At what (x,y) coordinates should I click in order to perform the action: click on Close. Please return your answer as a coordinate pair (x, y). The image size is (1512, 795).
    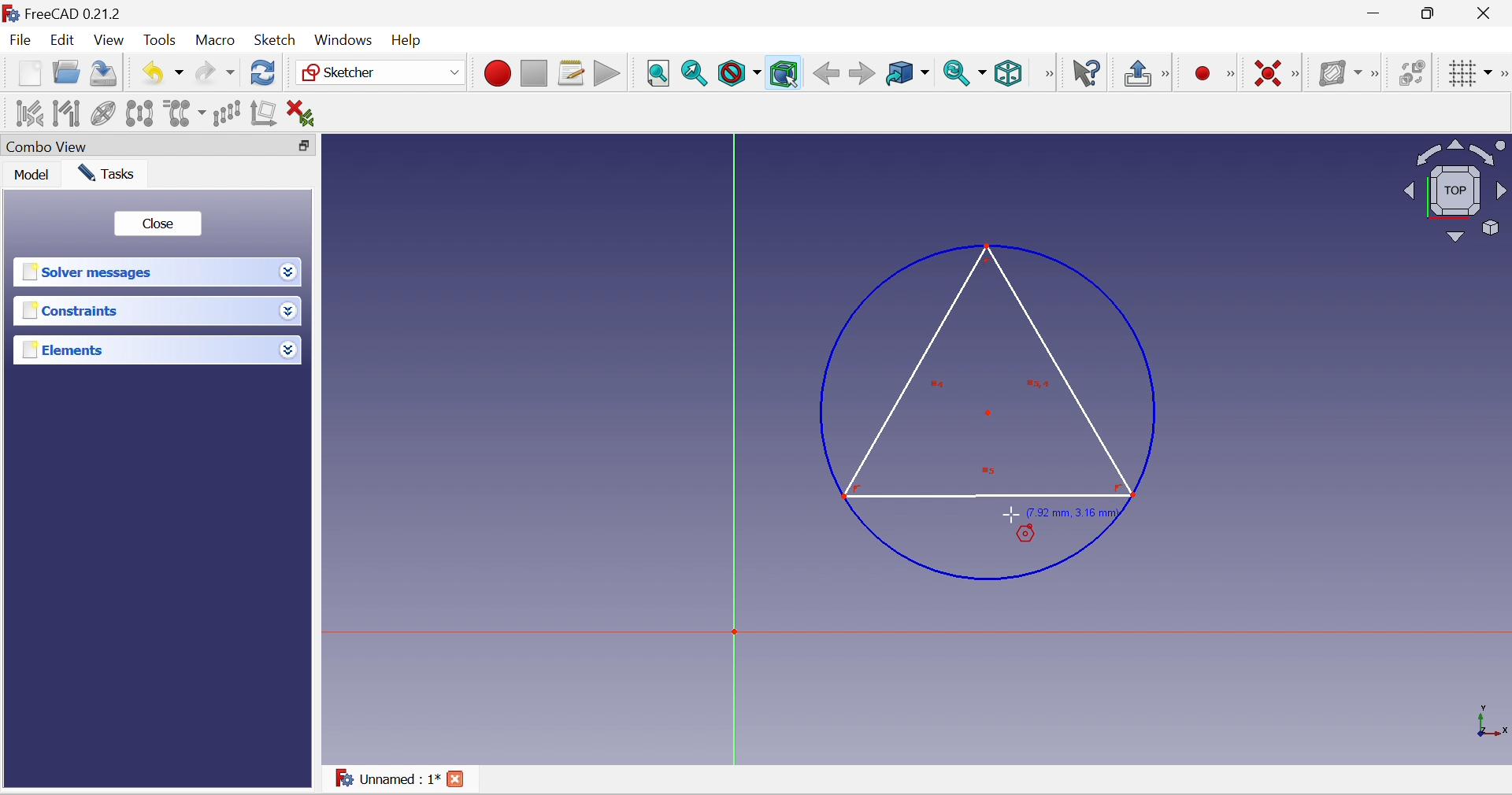
    Looking at the image, I should click on (160, 224).